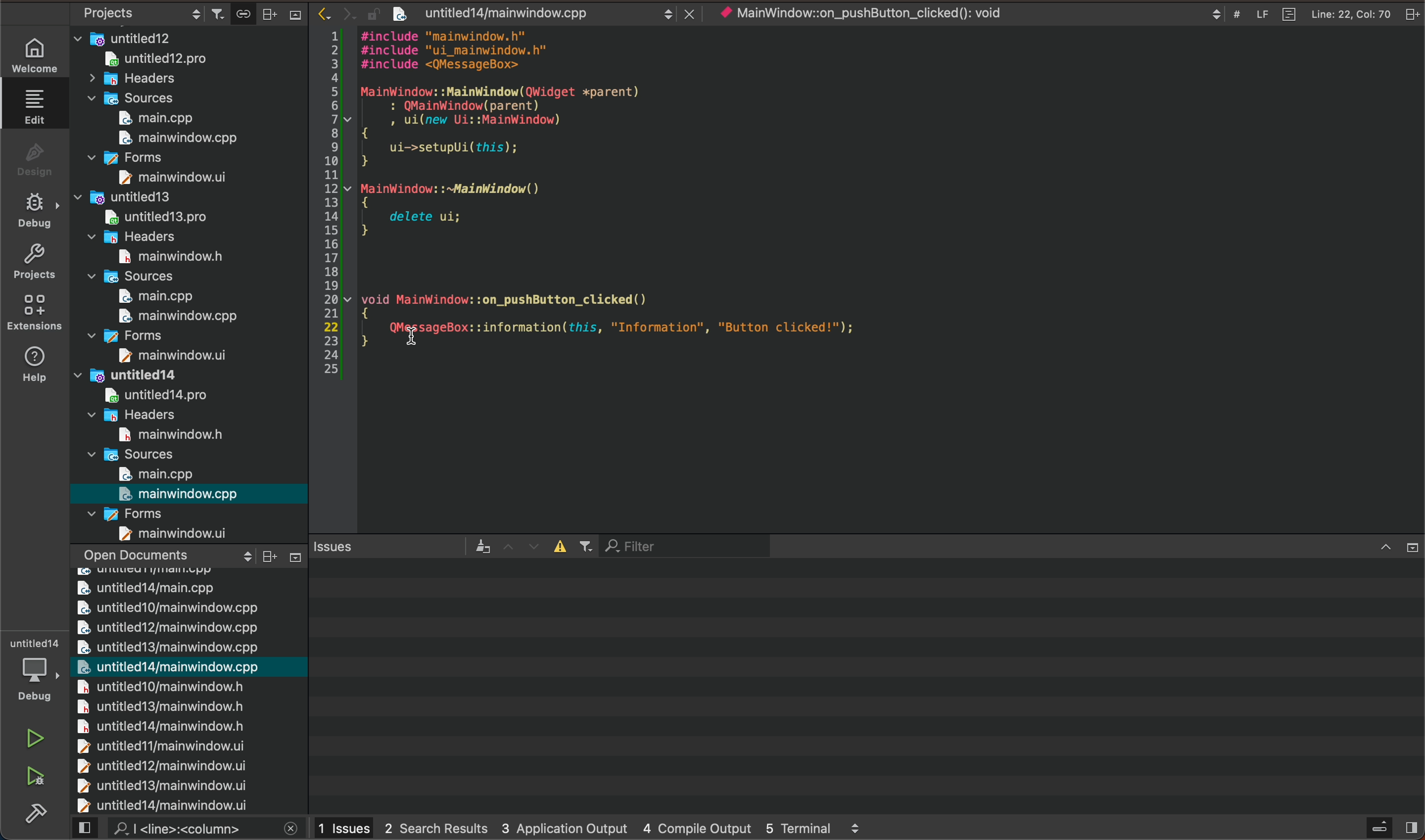 The width and height of the screenshot is (1425, 840). Describe the element at coordinates (178, 533) in the screenshot. I see `main window` at that location.